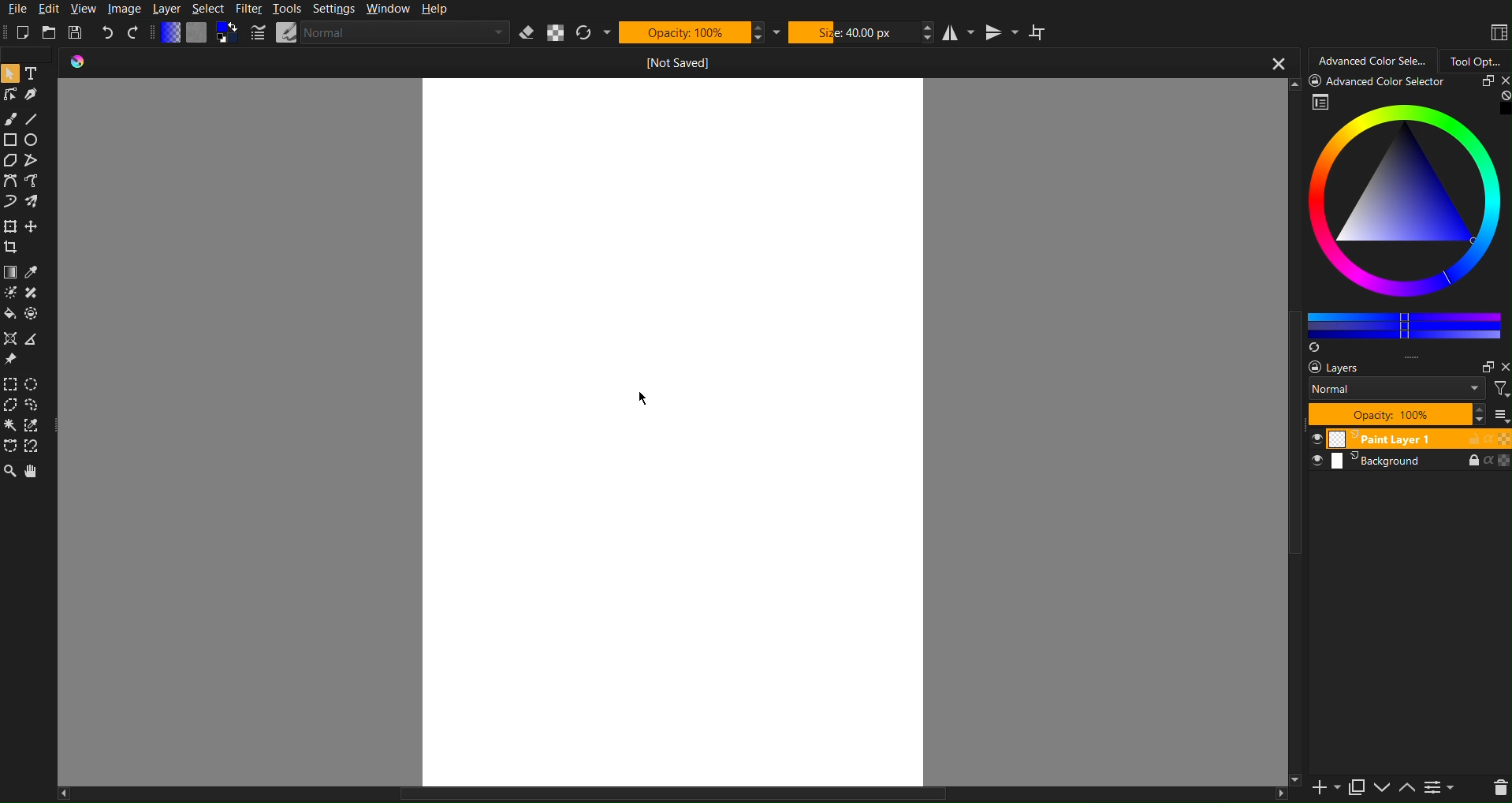 This screenshot has width=1512, height=803. I want to click on Brush, so click(9, 115).